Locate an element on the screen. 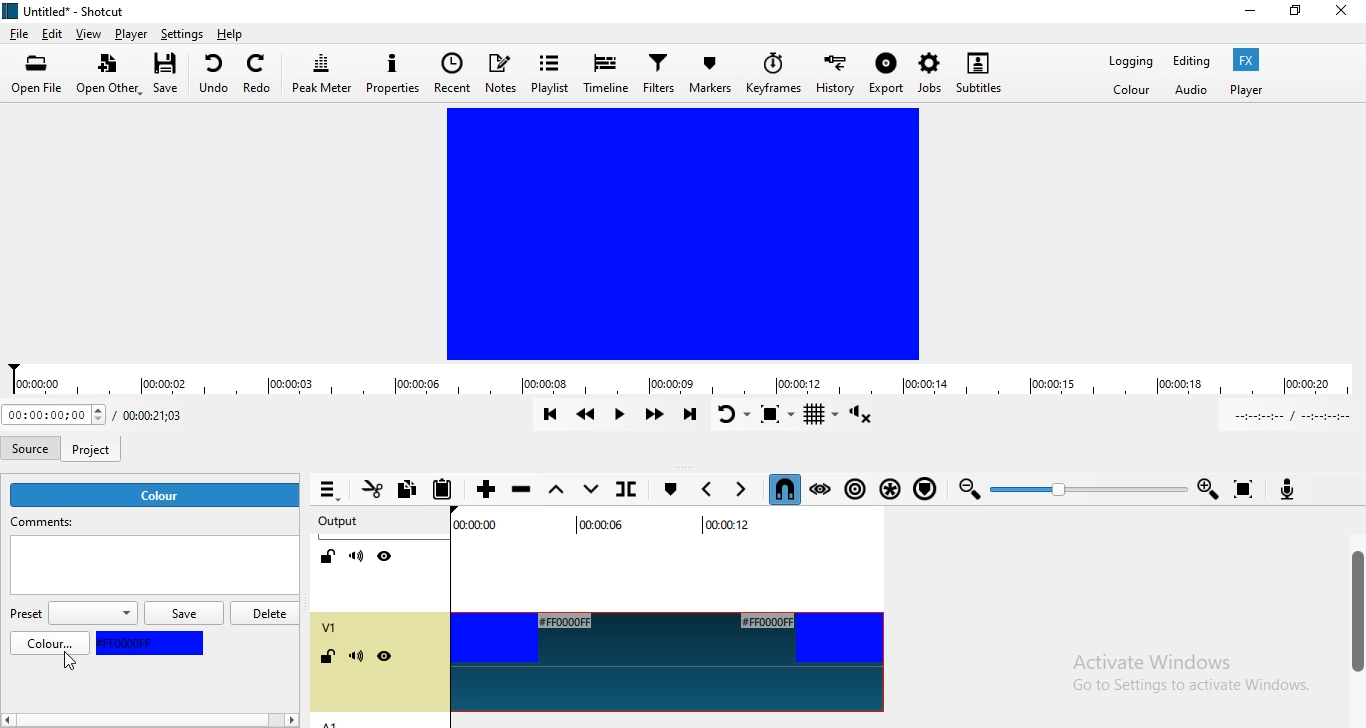 Image resolution: width=1366 pixels, height=728 pixels. blue is located at coordinates (151, 643).